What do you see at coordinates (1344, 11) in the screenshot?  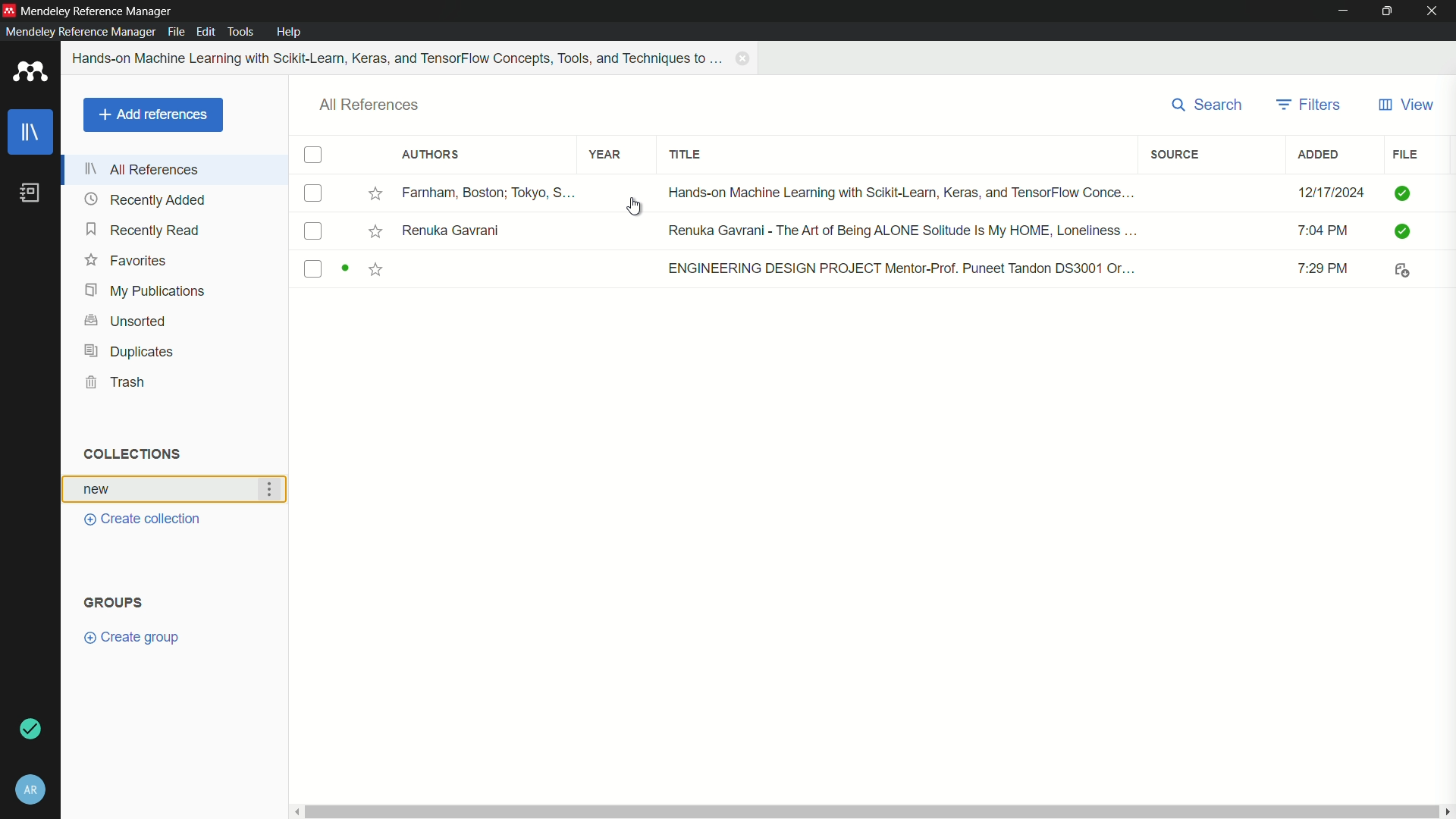 I see `minimize` at bounding box center [1344, 11].